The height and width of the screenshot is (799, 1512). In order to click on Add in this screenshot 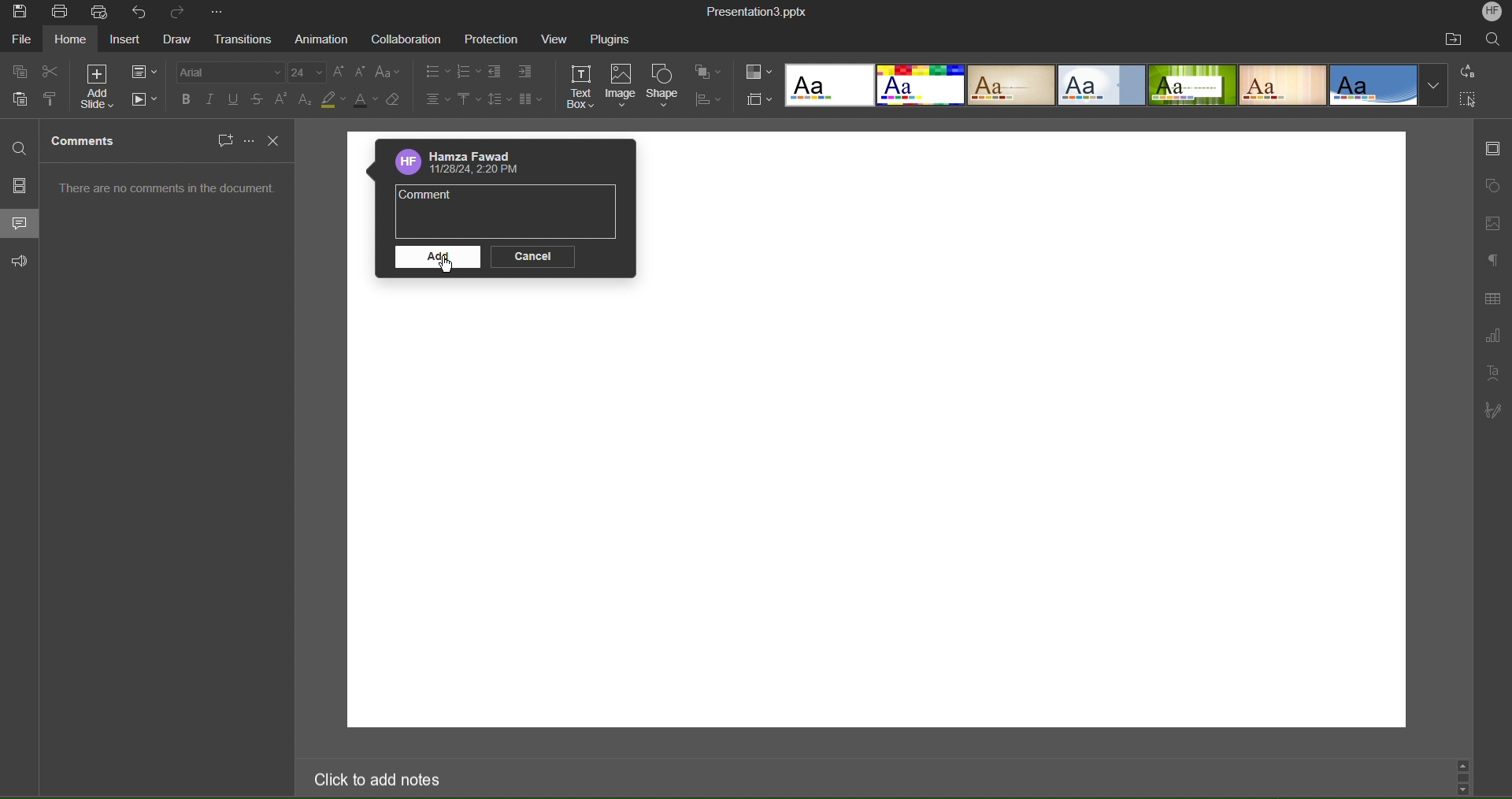, I will do `click(437, 259)`.